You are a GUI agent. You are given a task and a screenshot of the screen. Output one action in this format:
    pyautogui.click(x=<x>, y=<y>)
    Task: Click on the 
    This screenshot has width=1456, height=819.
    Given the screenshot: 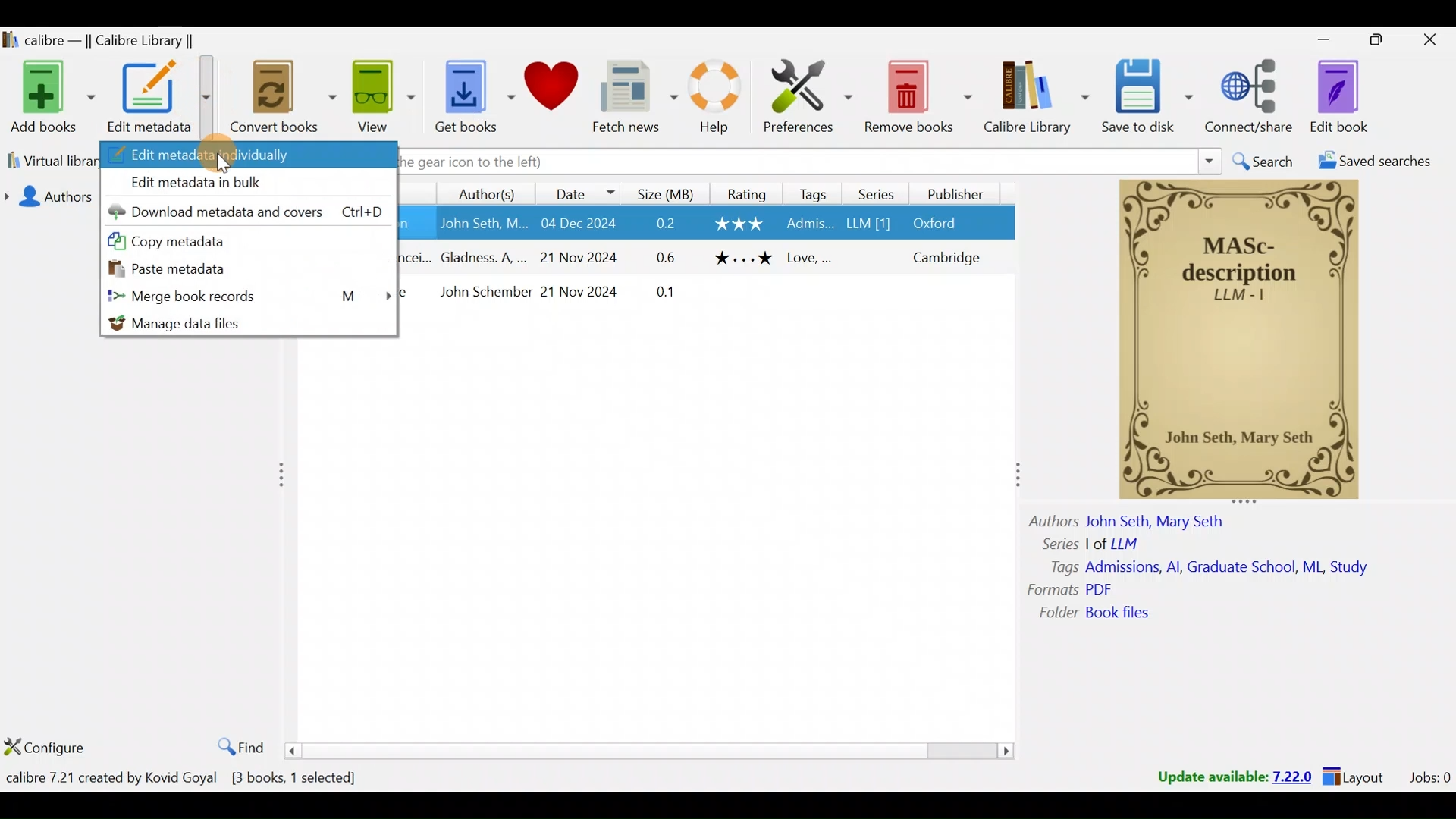 What is the action you would take?
    pyautogui.click(x=1056, y=567)
    